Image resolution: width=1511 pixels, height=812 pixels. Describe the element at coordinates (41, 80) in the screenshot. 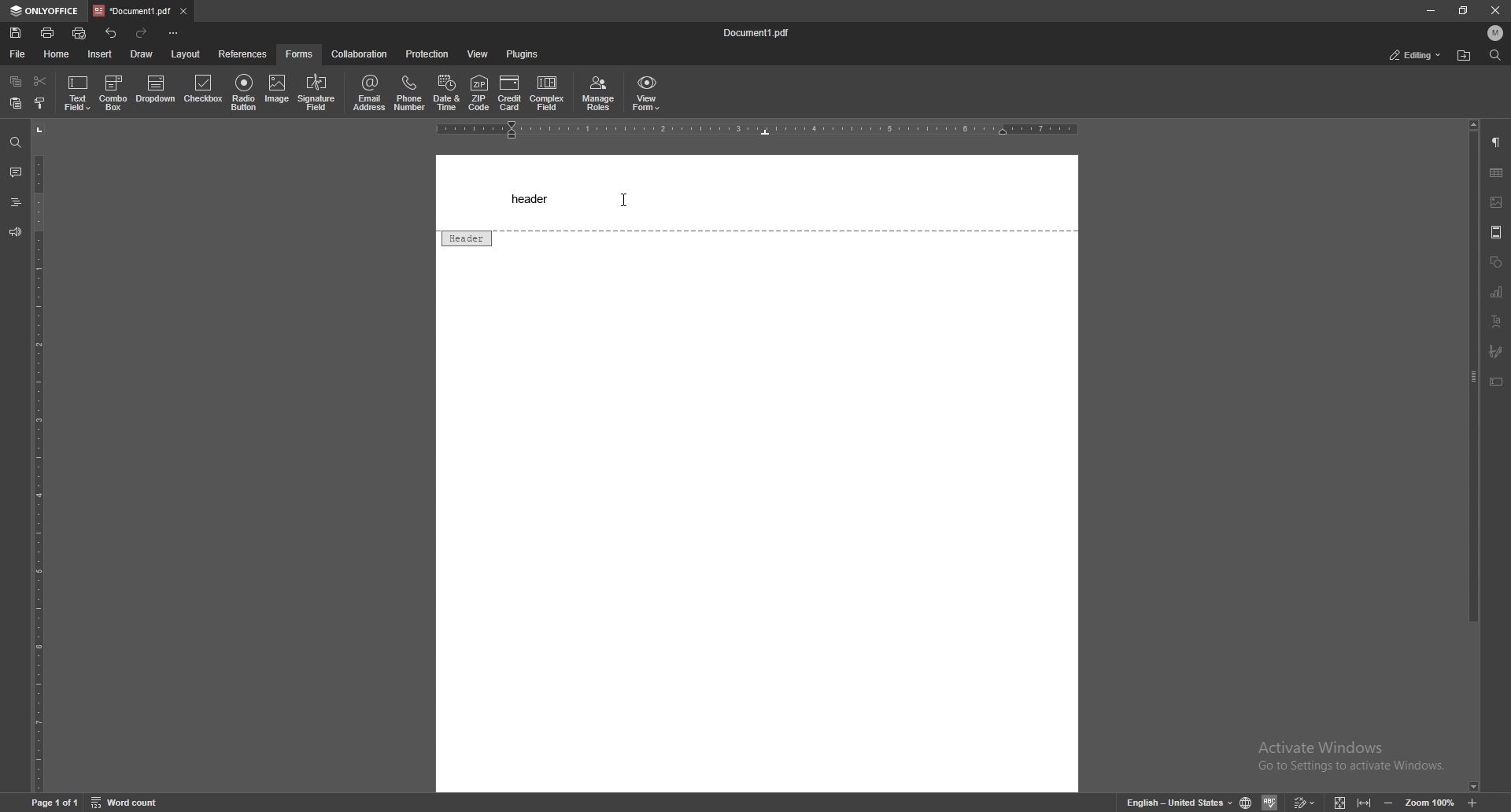

I see `cut` at that location.